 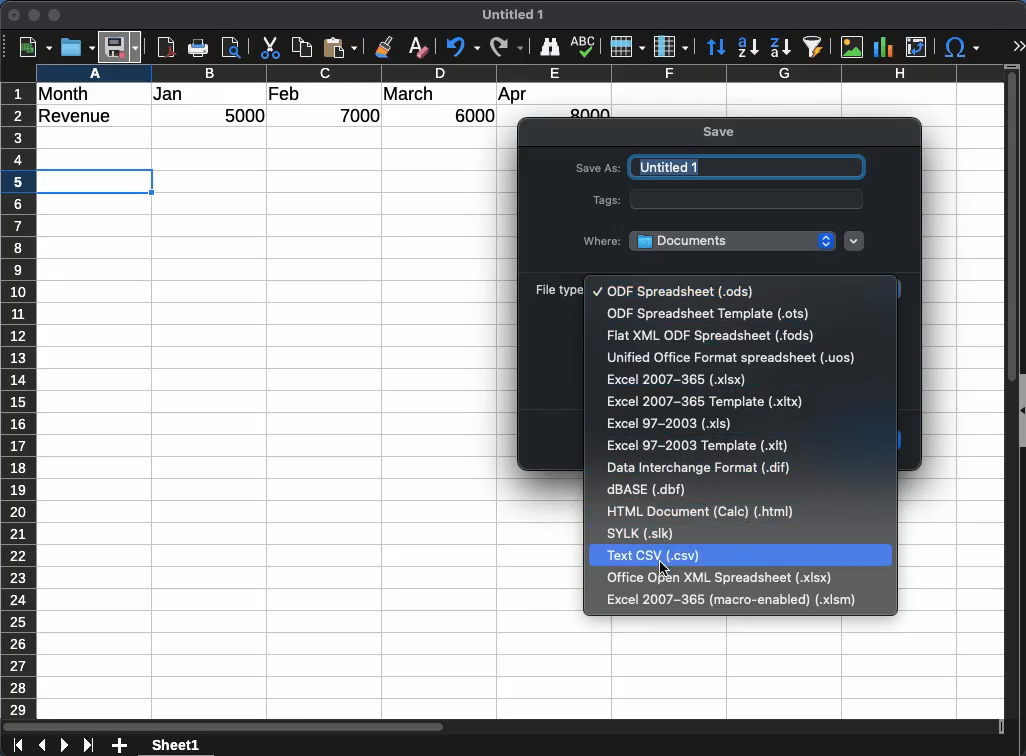 What do you see at coordinates (15, 15) in the screenshot?
I see `close` at bounding box center [15, 15].